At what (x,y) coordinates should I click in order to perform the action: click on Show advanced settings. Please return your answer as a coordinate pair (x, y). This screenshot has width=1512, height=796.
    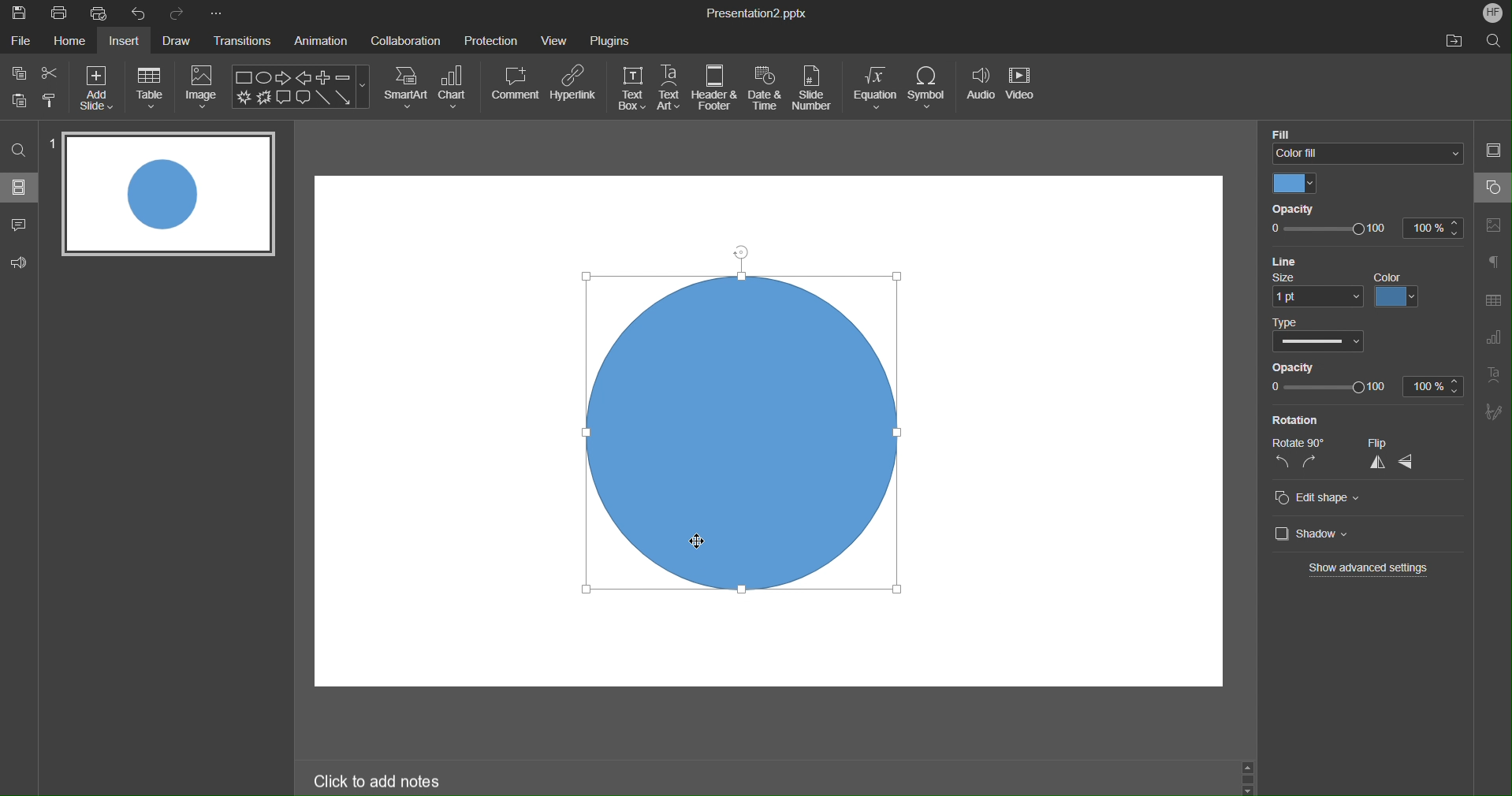
    Looking at the image, I should click on (1371, 569).